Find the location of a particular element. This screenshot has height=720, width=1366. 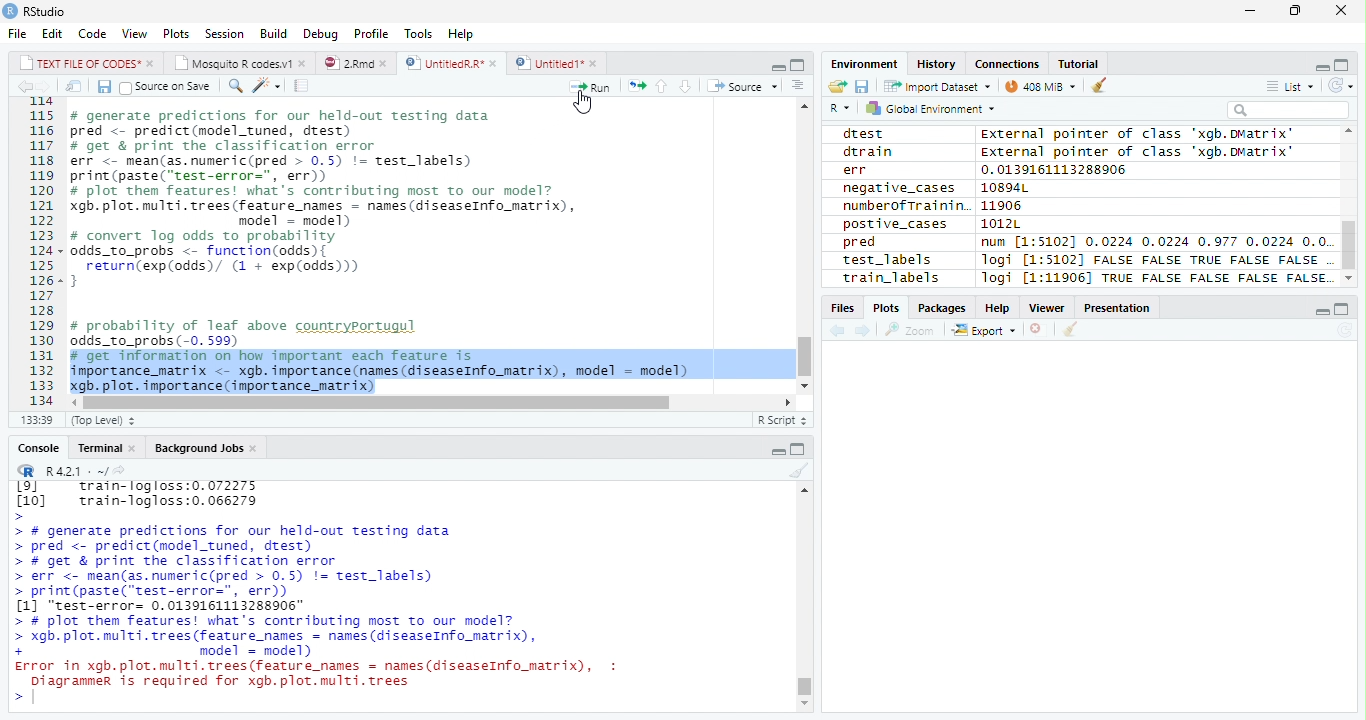

File is located at coordinates (16, 33).